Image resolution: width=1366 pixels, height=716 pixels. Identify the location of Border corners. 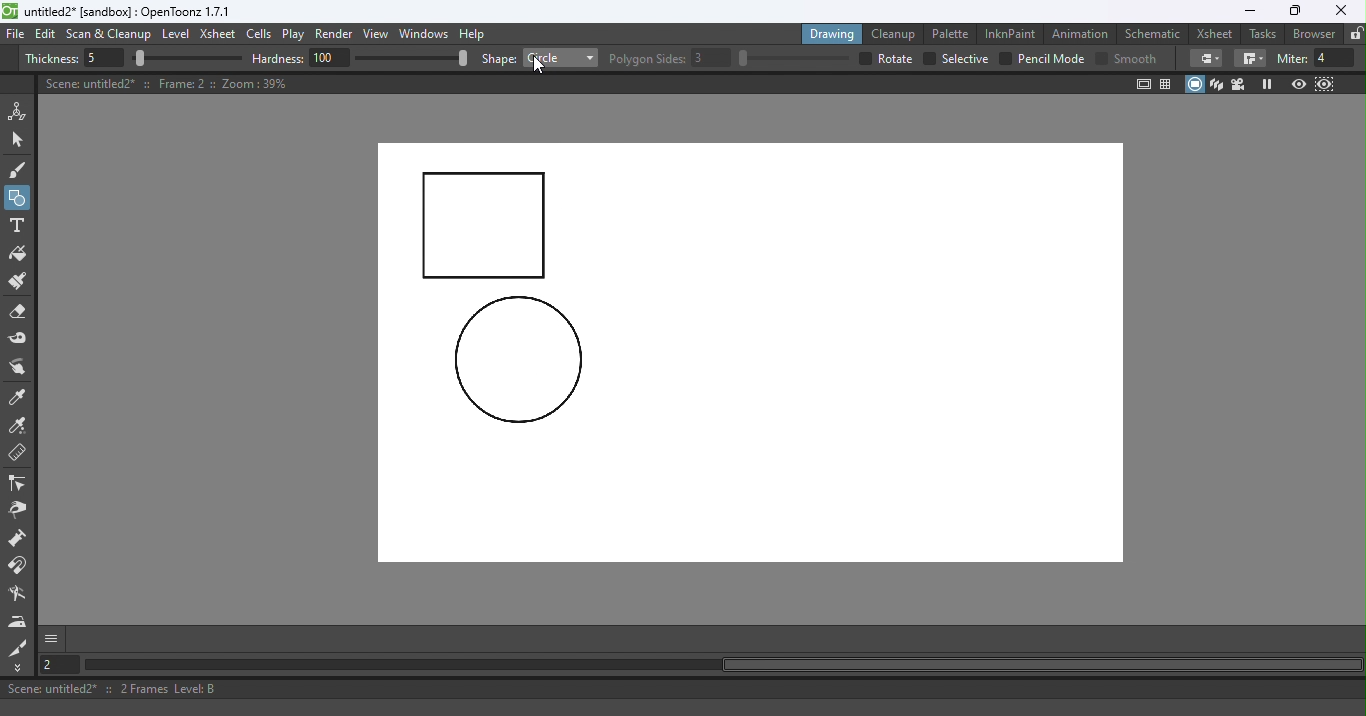
(1206, 58).